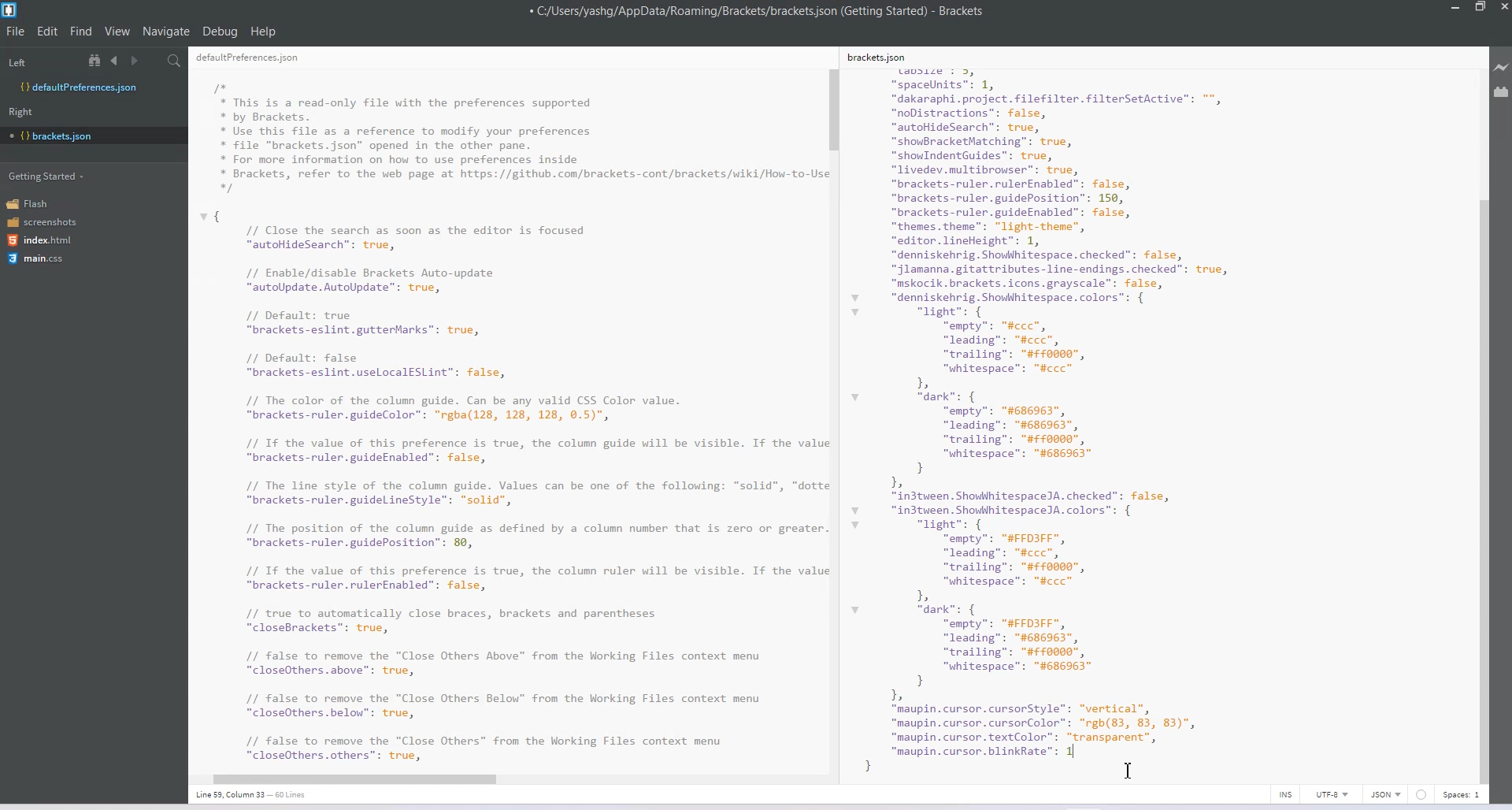  Describe the element at coordinates (176, 61) in the screenshot. I see `Find in Files` at that location.